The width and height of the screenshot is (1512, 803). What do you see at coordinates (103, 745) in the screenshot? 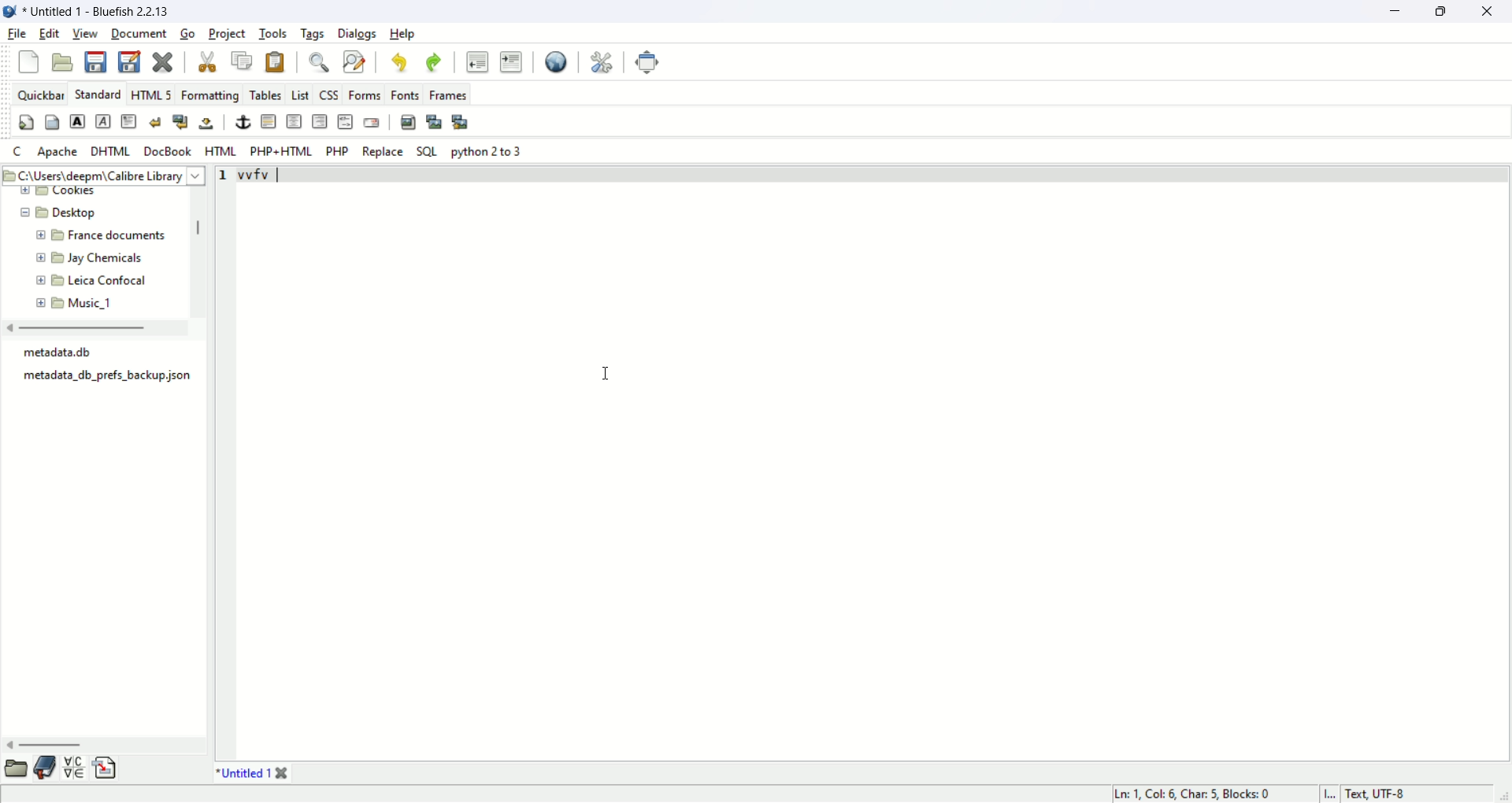
I see `scroll bar` at bounding box center [103, 745].